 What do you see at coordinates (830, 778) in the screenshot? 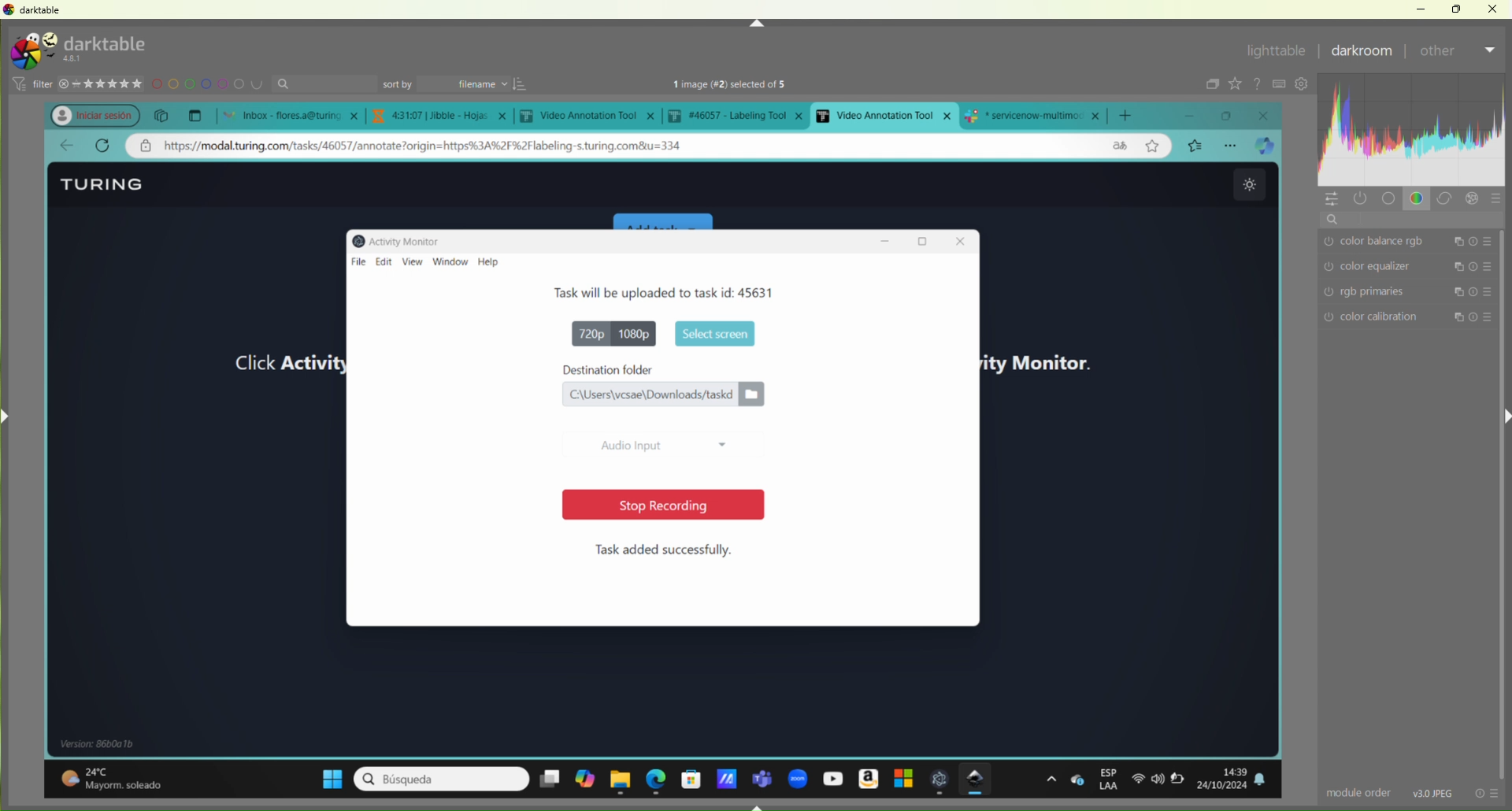
I see `youtube` at bounding box center [830, 778].